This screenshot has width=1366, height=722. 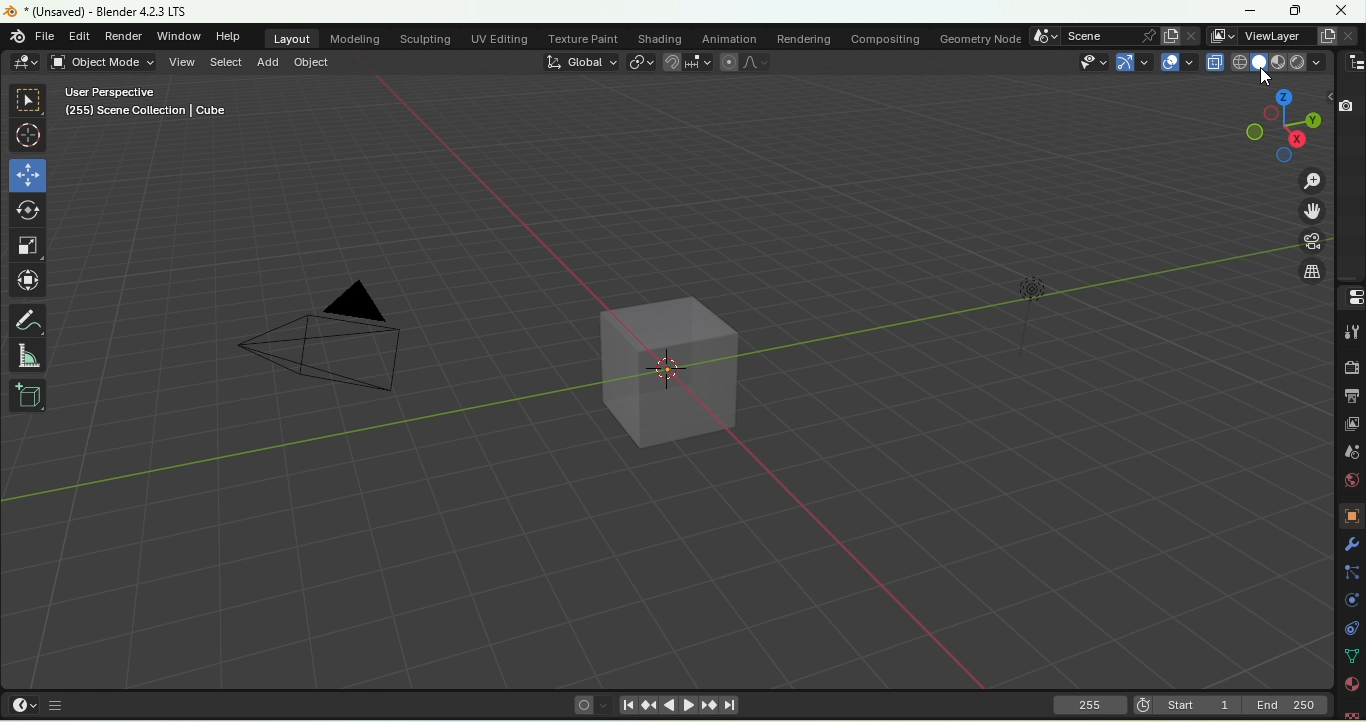 What do you see at coordinates (121, 36) in the screenshot?
I see `Render` at bounding box center [121, 36].